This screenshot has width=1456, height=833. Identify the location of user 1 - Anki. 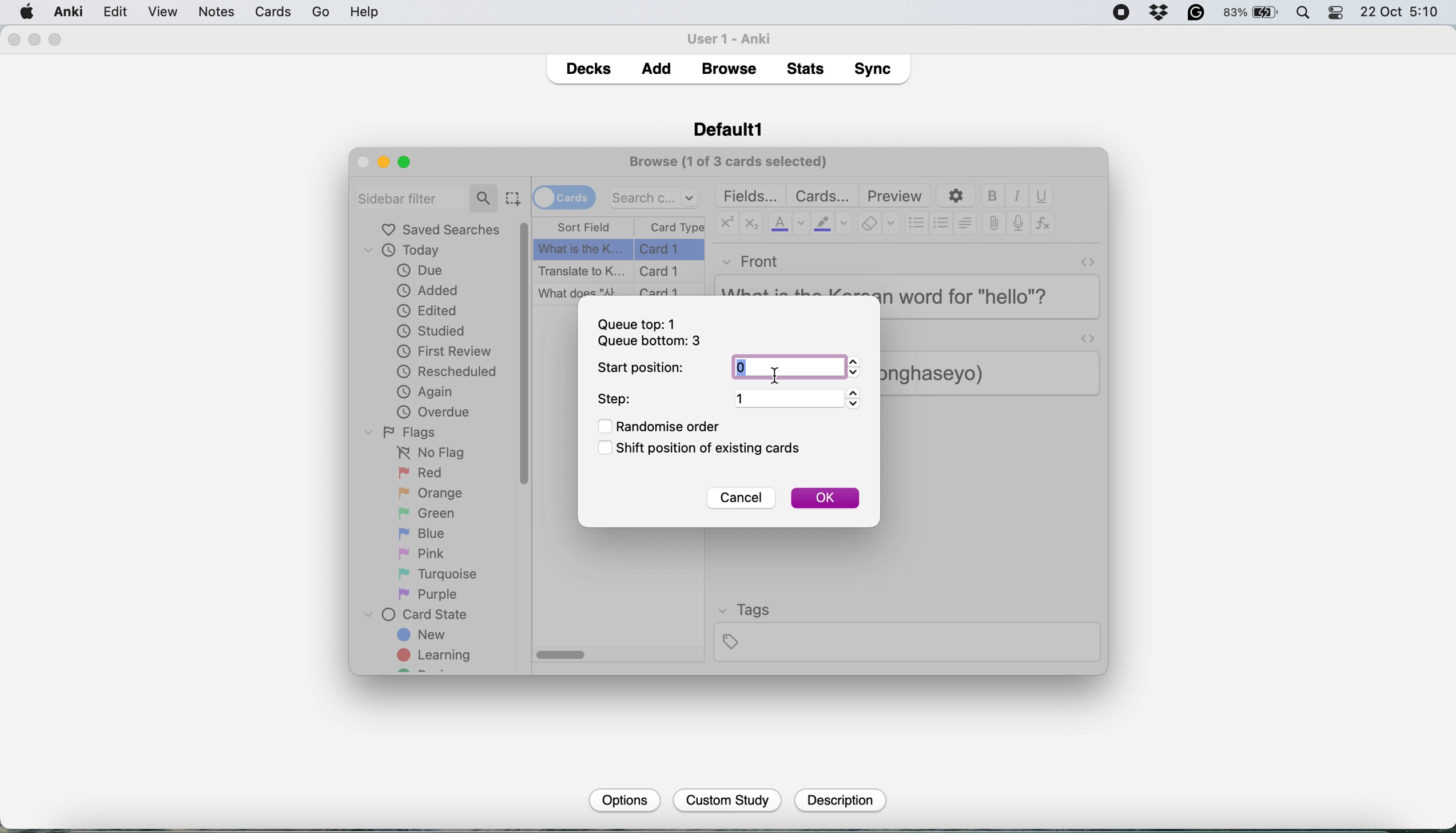
(735, 37).